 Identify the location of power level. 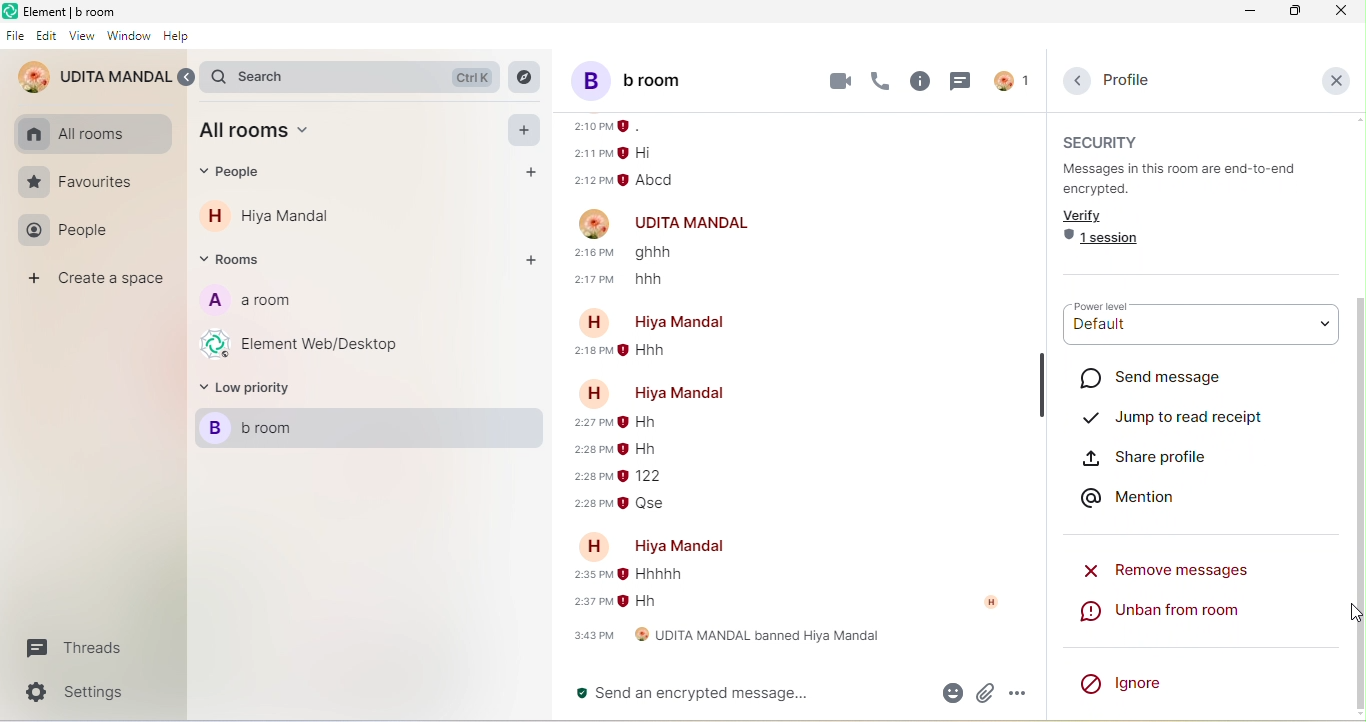
(1110, 308).